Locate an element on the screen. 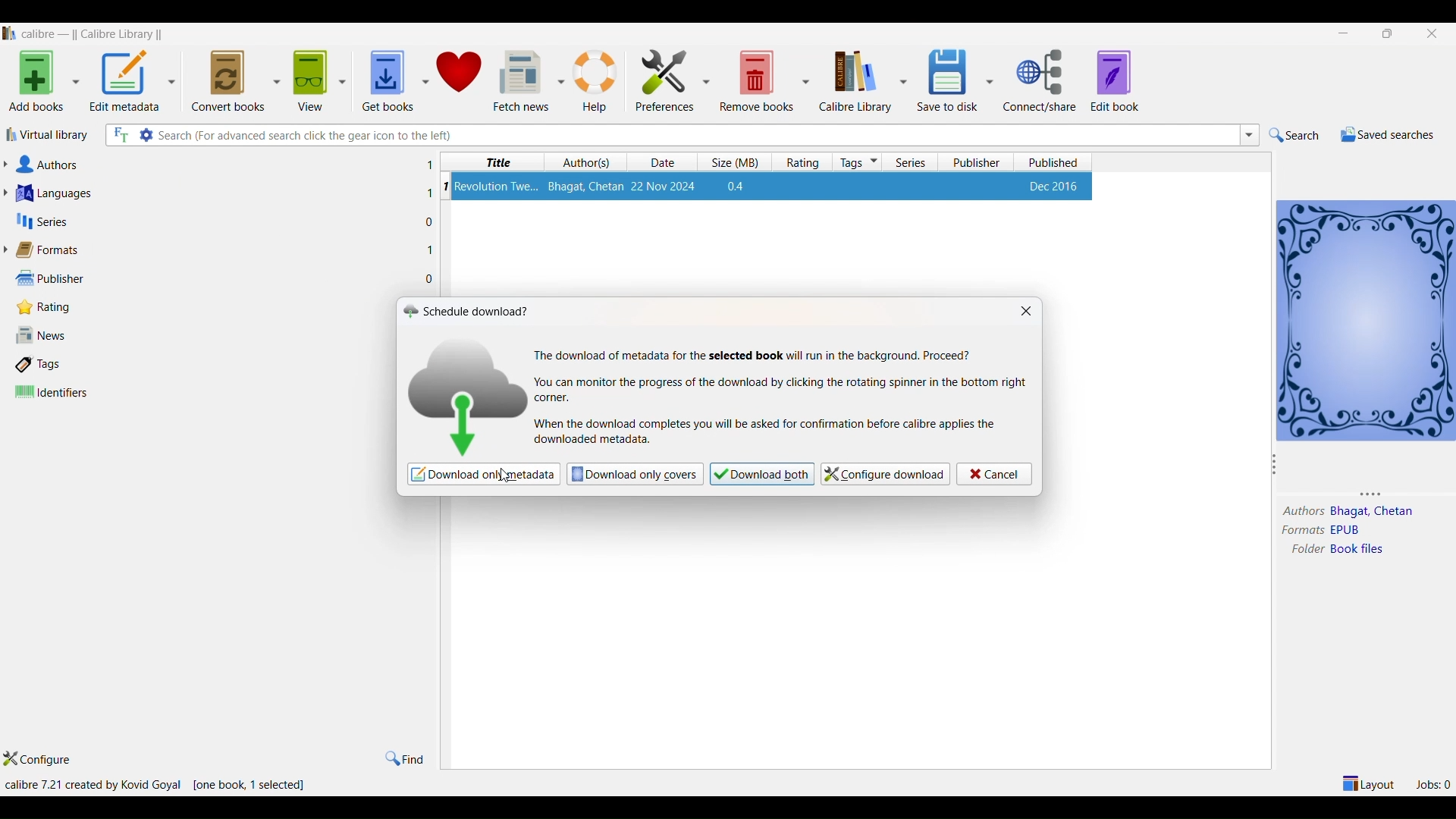 This screenshot has width=1456, height=819. series is located at coordinates (44, 221).